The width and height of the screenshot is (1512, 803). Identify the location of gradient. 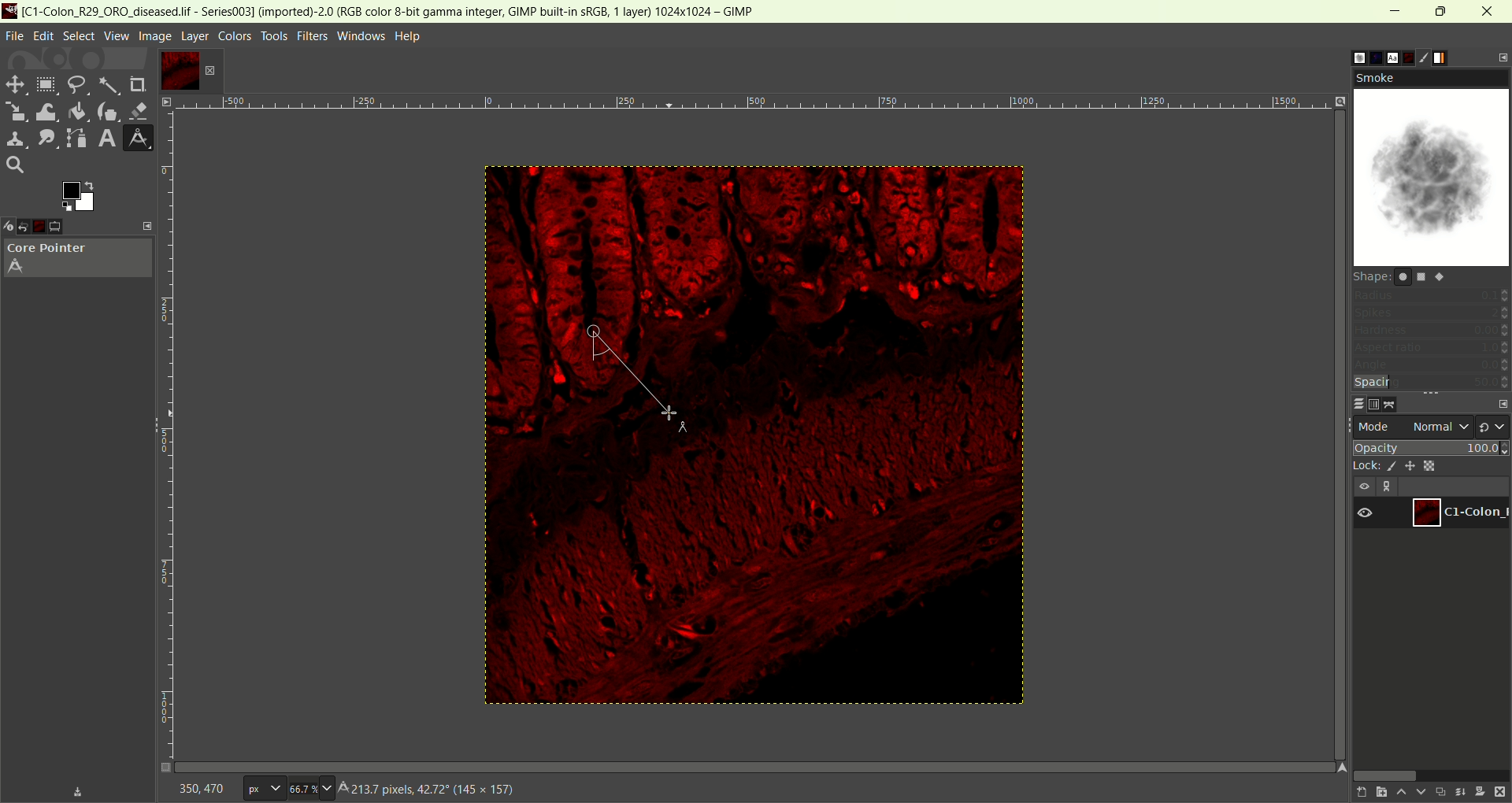
(1451, 57).